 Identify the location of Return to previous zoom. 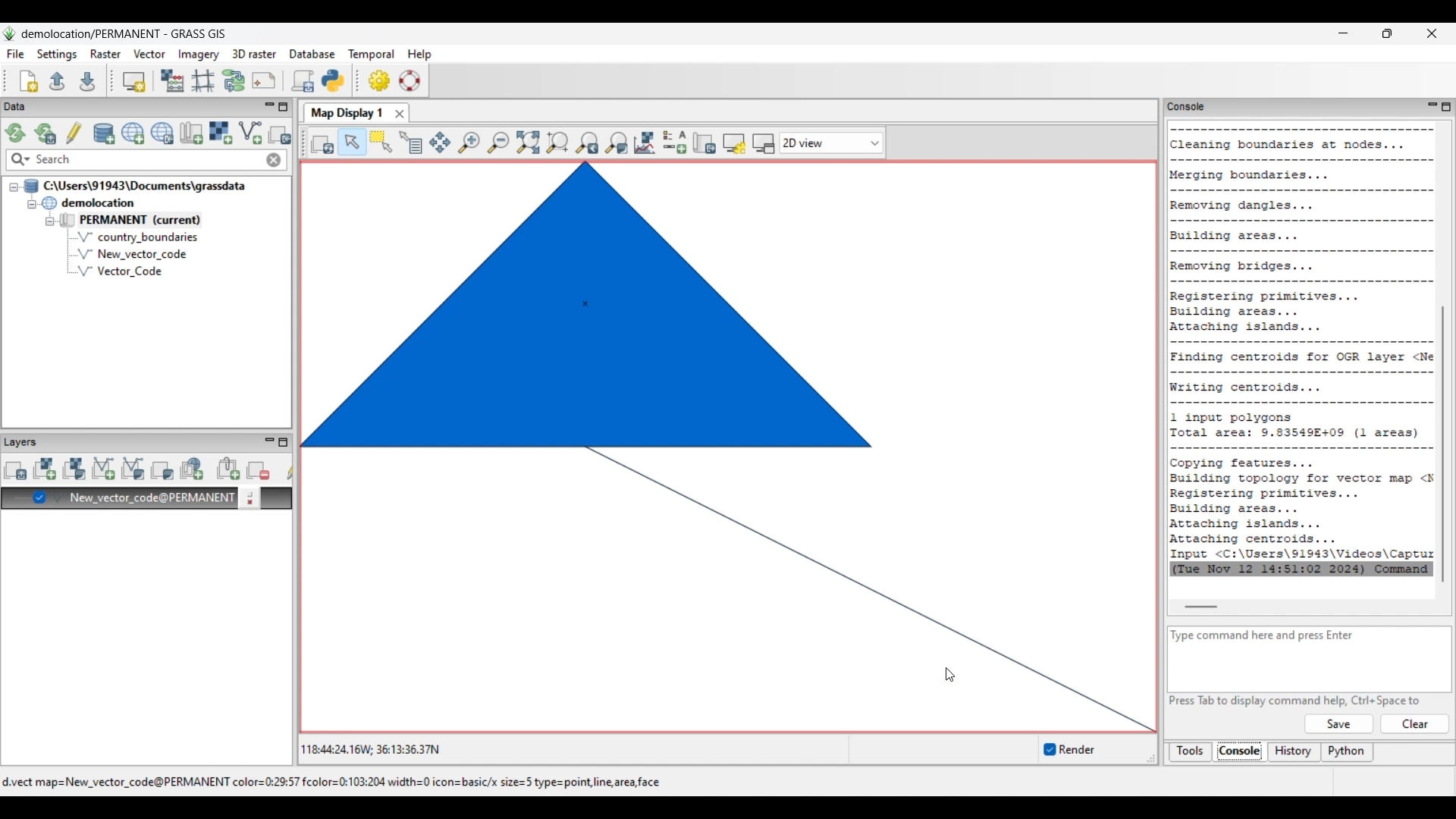
(587, 143).